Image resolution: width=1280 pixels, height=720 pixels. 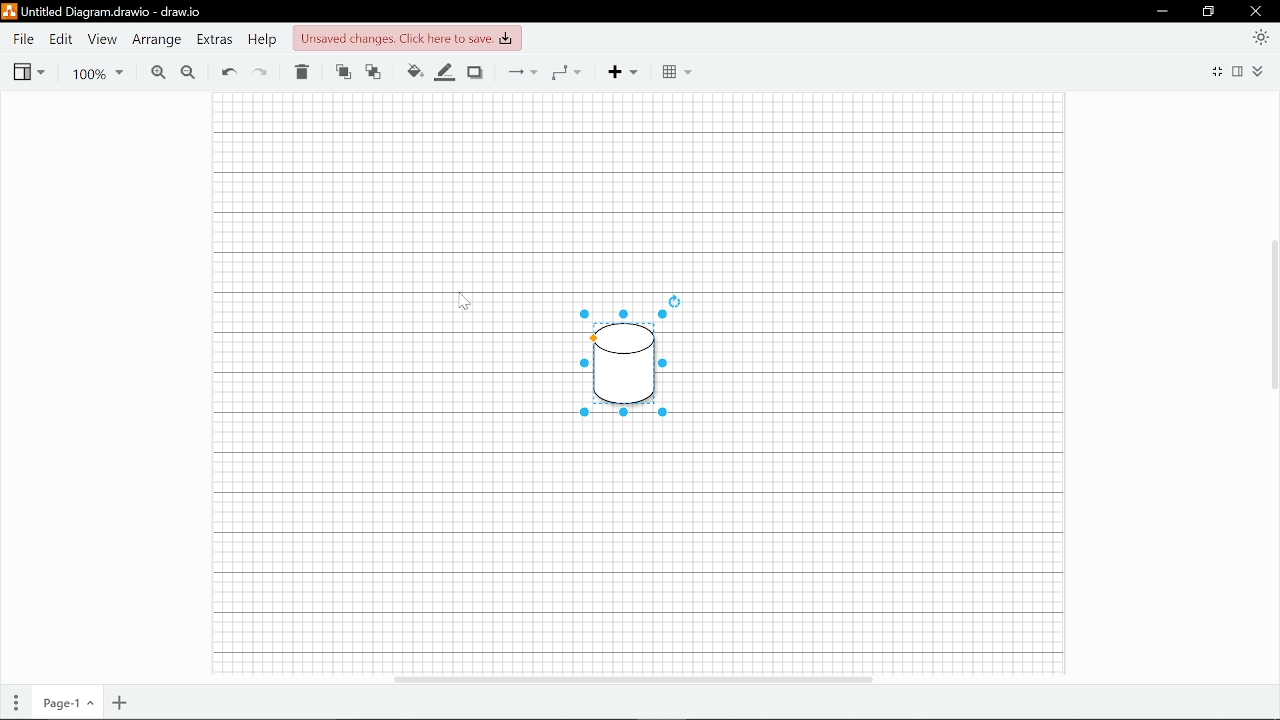 I want to click on Zoom in, so click(x=158, y=72).